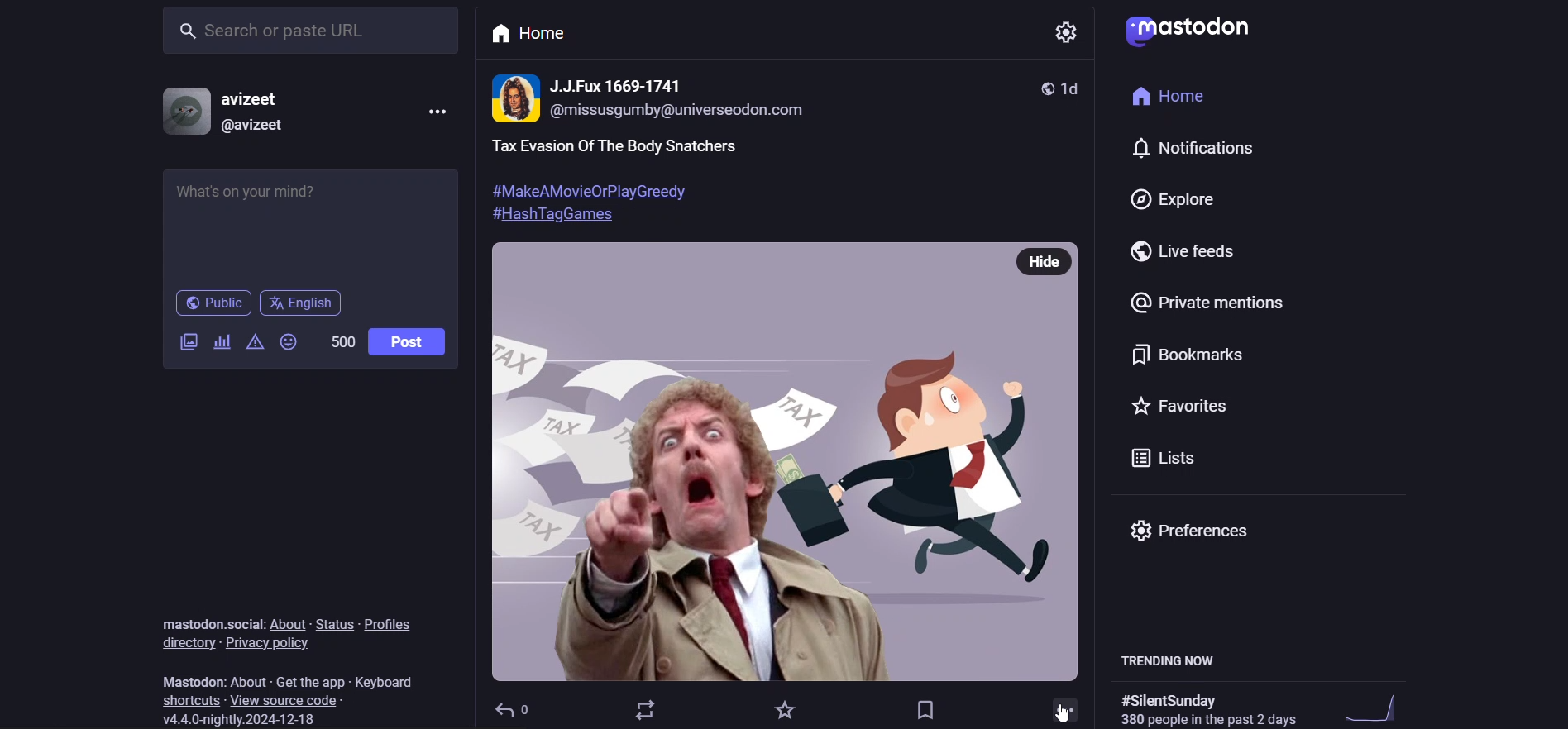  I want to click on home, so click(1183, 93).